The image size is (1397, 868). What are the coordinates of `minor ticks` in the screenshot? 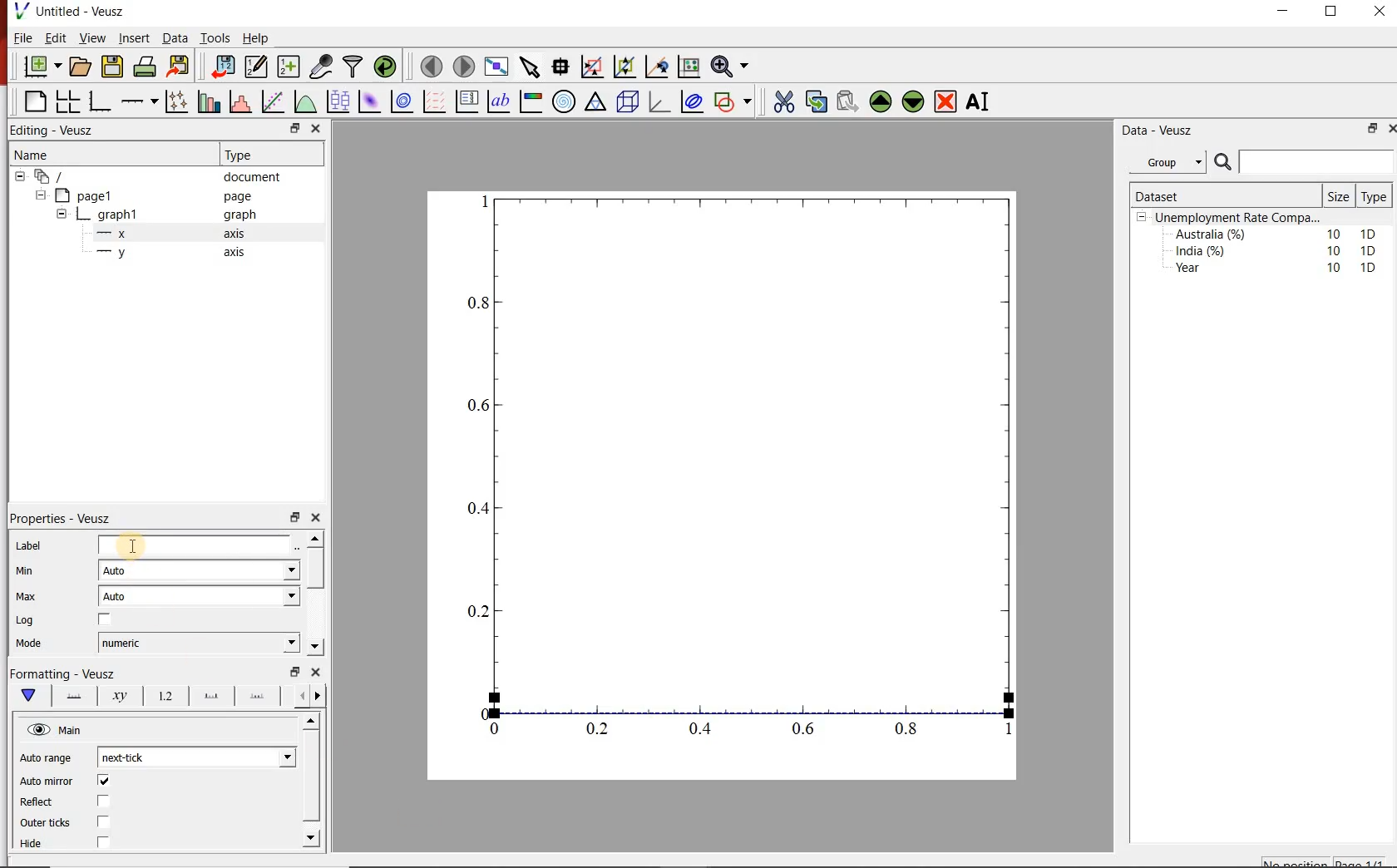 It's located at (258, 694).